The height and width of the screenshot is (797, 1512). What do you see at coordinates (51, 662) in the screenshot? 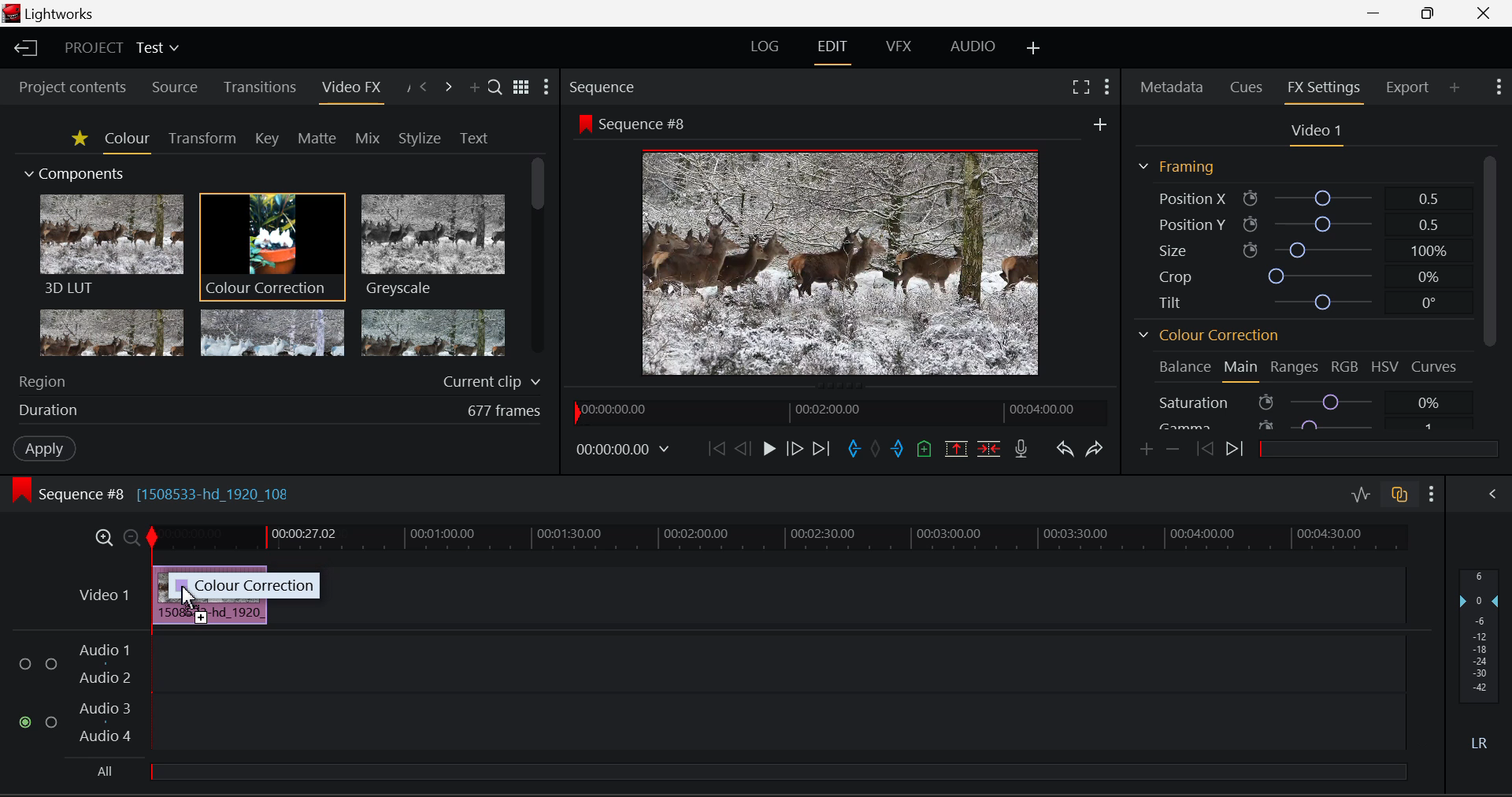
I see `Audio Input Checkbox` at bounding box center [51, 662].